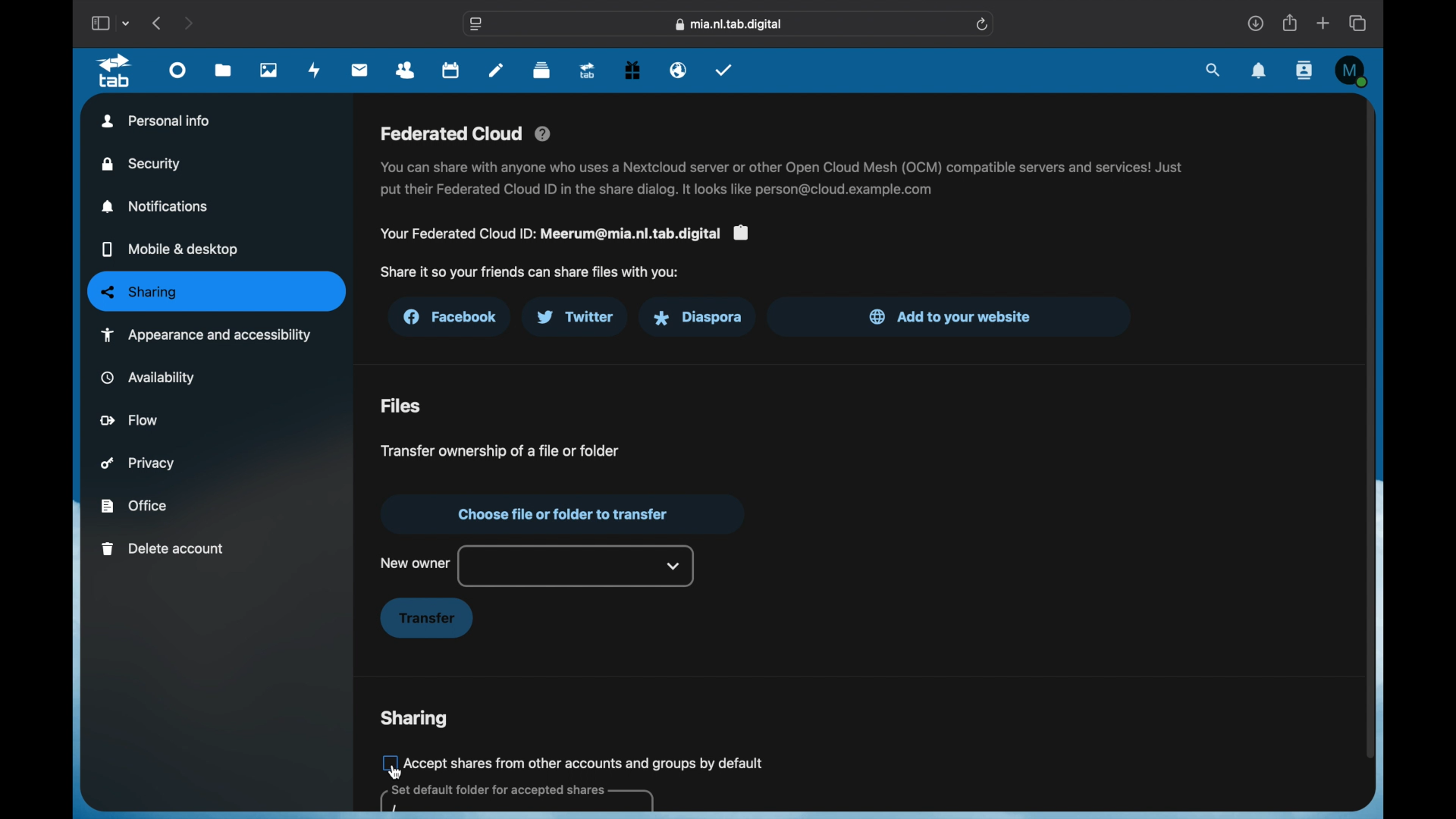 The image size is (1456, 819). What do you see at coordinates (951, 316) in the screenshot?
I see `add to your website` at bounding box center [951, 316].